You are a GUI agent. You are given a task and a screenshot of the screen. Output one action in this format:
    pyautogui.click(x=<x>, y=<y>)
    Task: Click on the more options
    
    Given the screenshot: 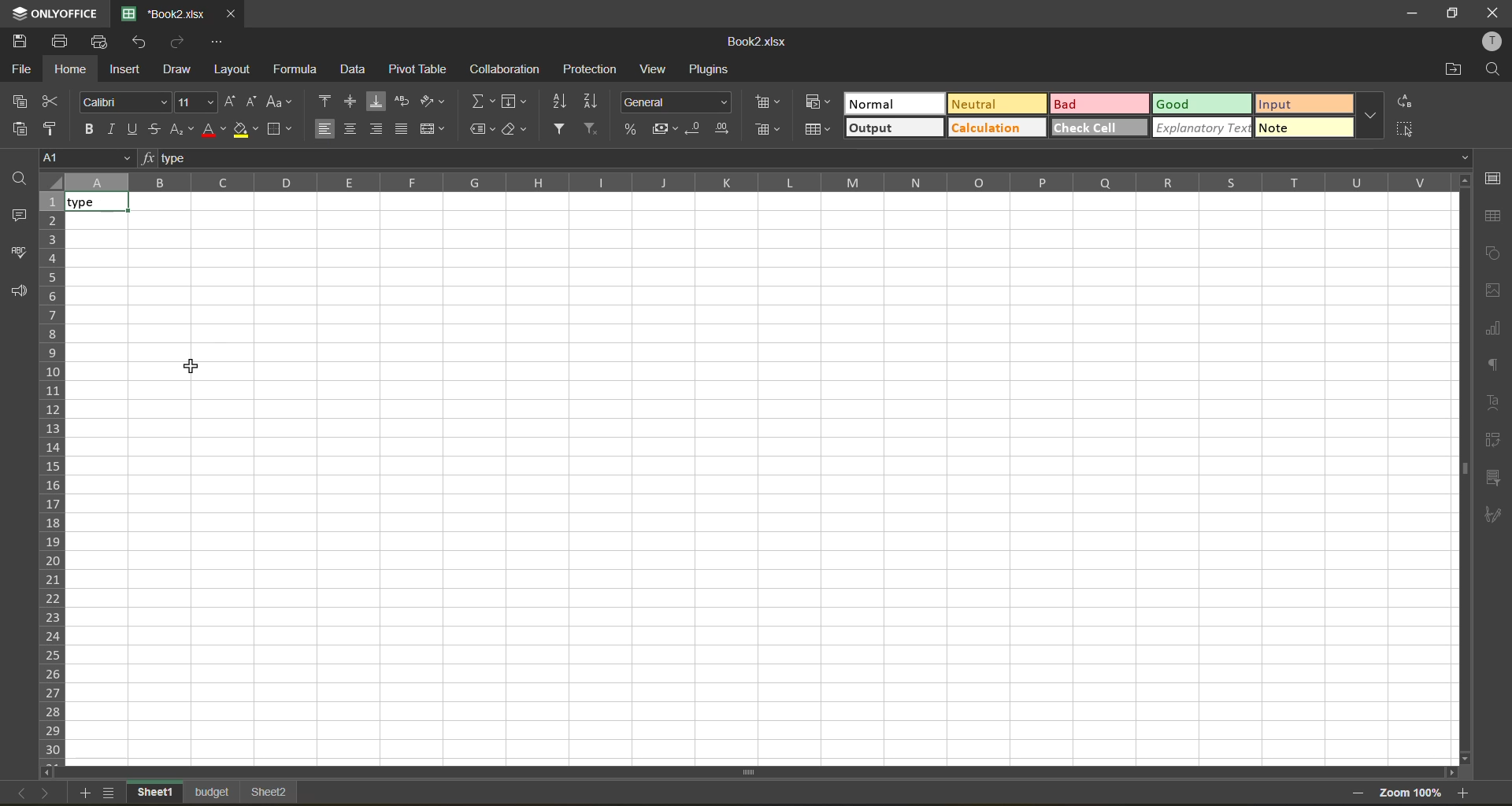 What is the action you would take?
    pyautogui.click(x=1371, y=115)
    